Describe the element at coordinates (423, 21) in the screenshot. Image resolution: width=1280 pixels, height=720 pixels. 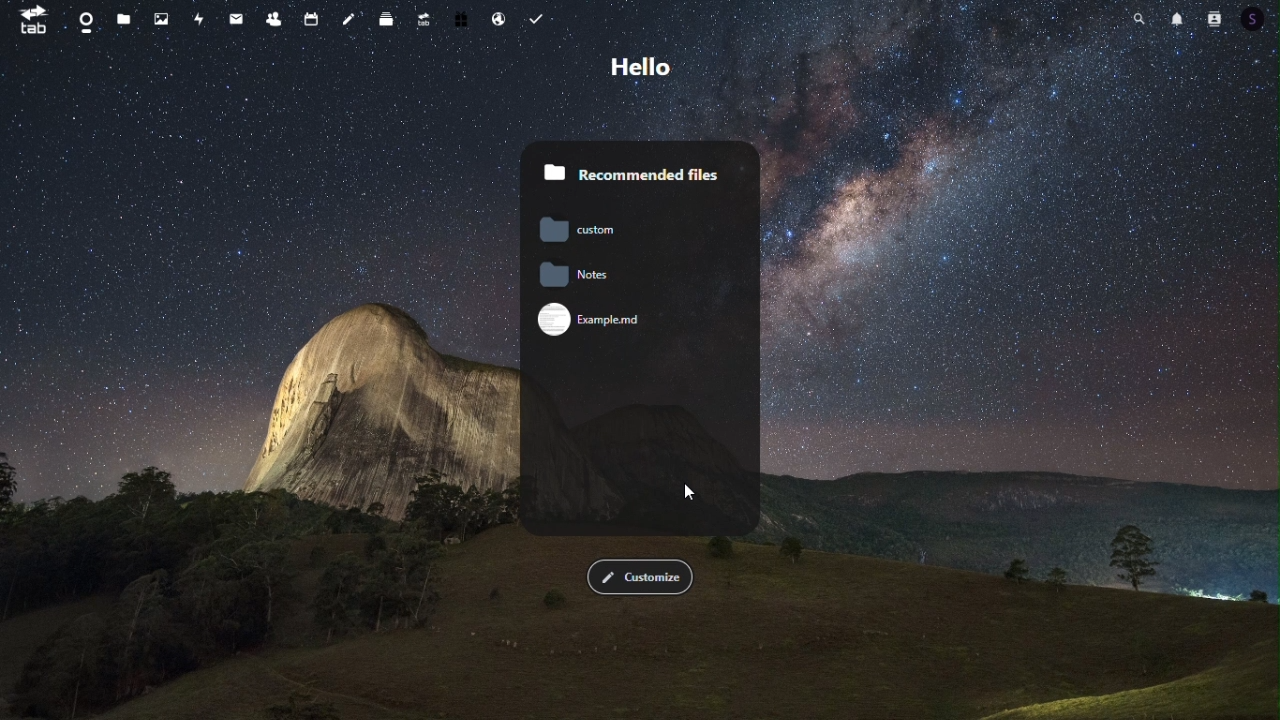
I see `upgrade` at that location.